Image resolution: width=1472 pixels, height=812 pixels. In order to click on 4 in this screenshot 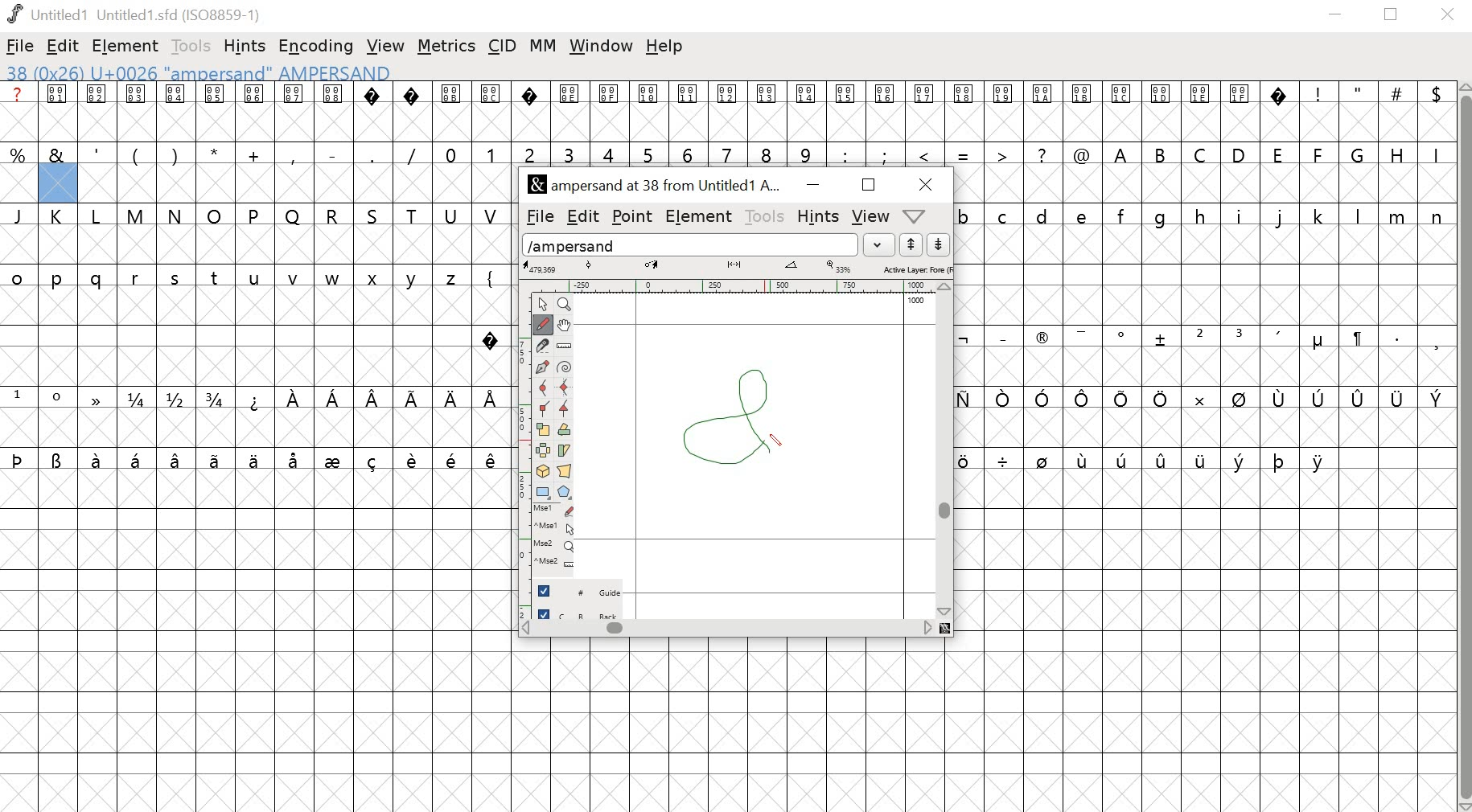, I will do `click(611, 154)`.